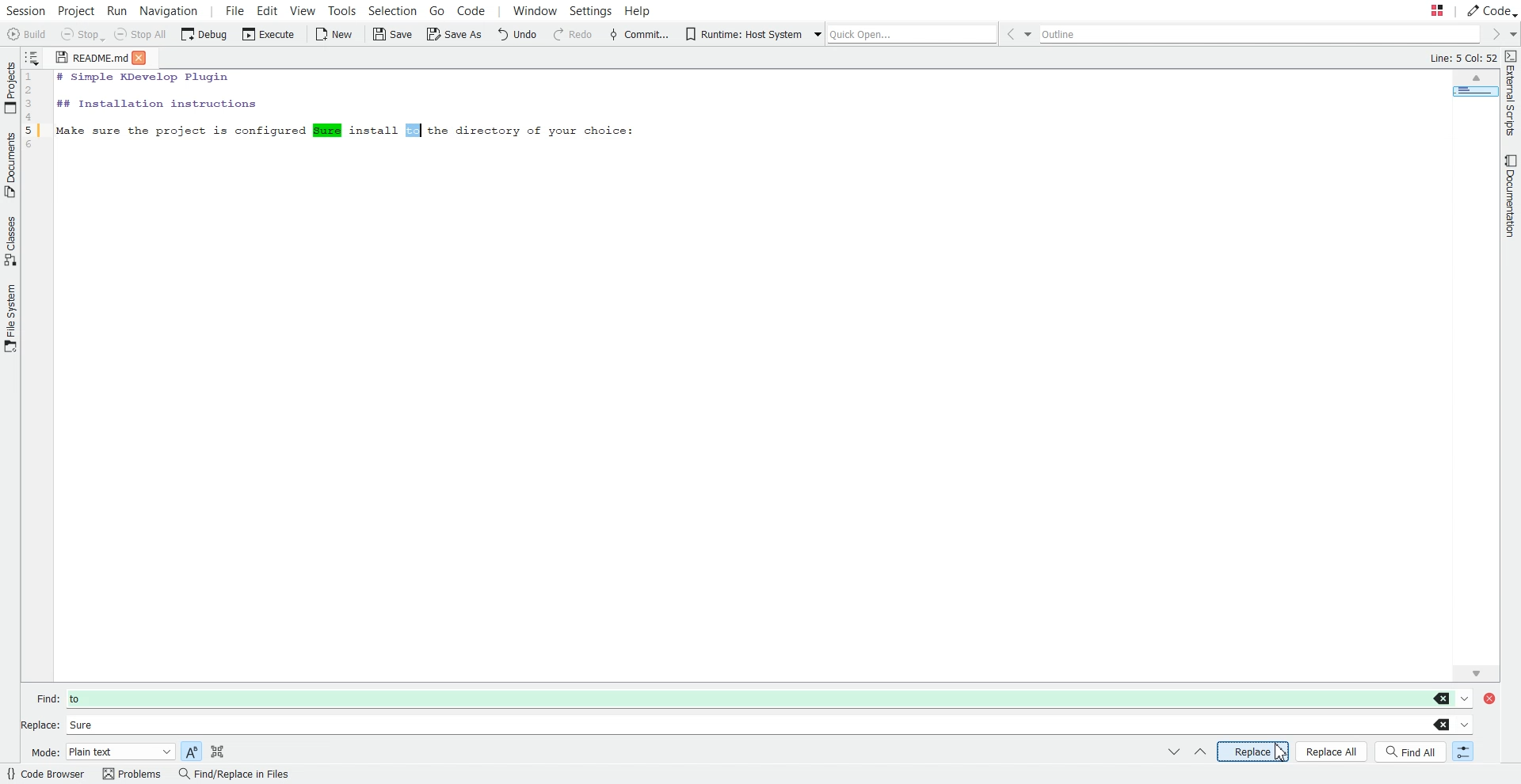 The width and height of the screenshot is (1521, 784). What do you see at coordinates (436, 10) in the screenshot?
I see `Go` at bounding box center [436, 10].